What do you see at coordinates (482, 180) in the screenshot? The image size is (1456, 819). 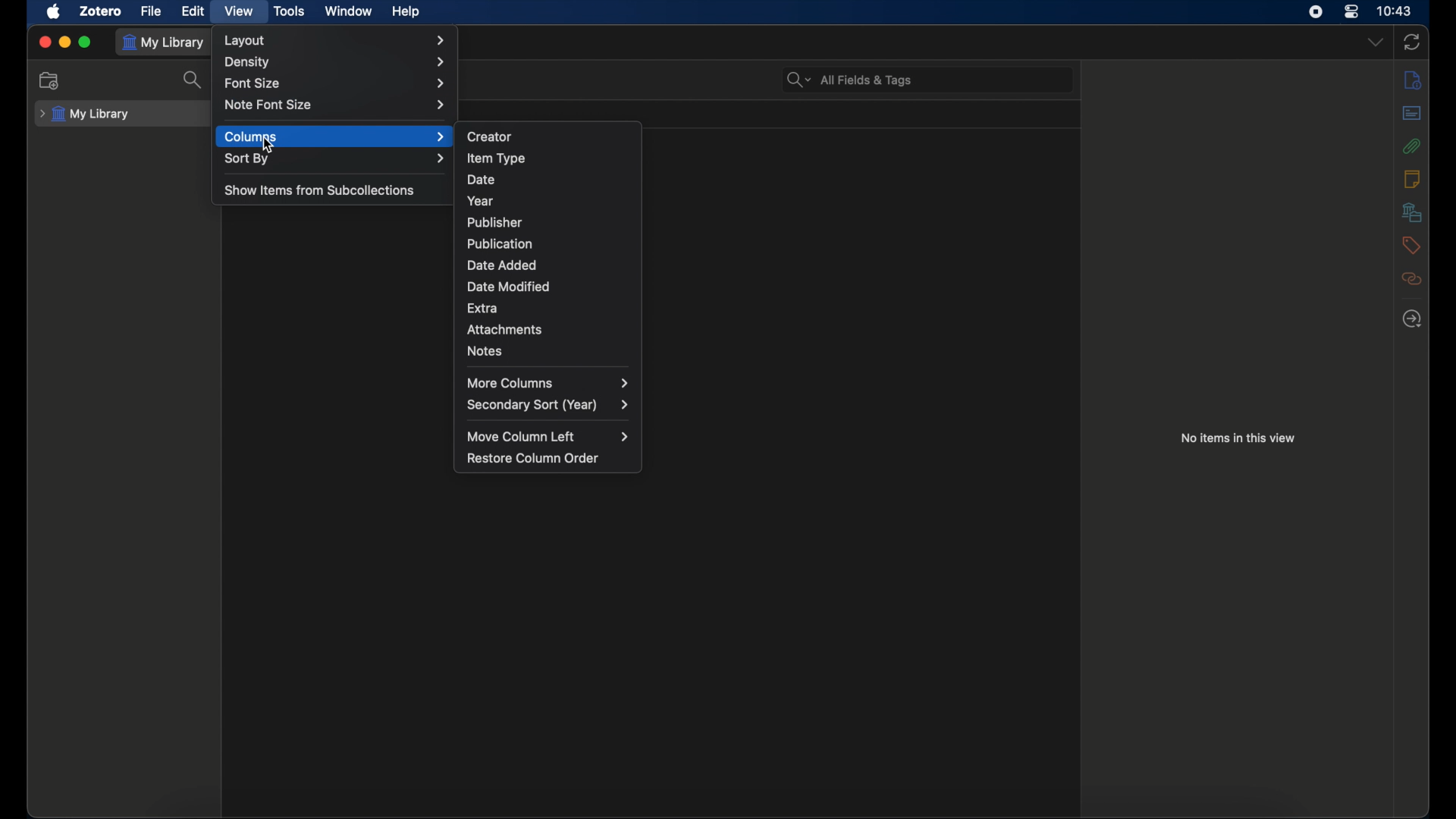 I see `date` at bounding box center [482, 180].